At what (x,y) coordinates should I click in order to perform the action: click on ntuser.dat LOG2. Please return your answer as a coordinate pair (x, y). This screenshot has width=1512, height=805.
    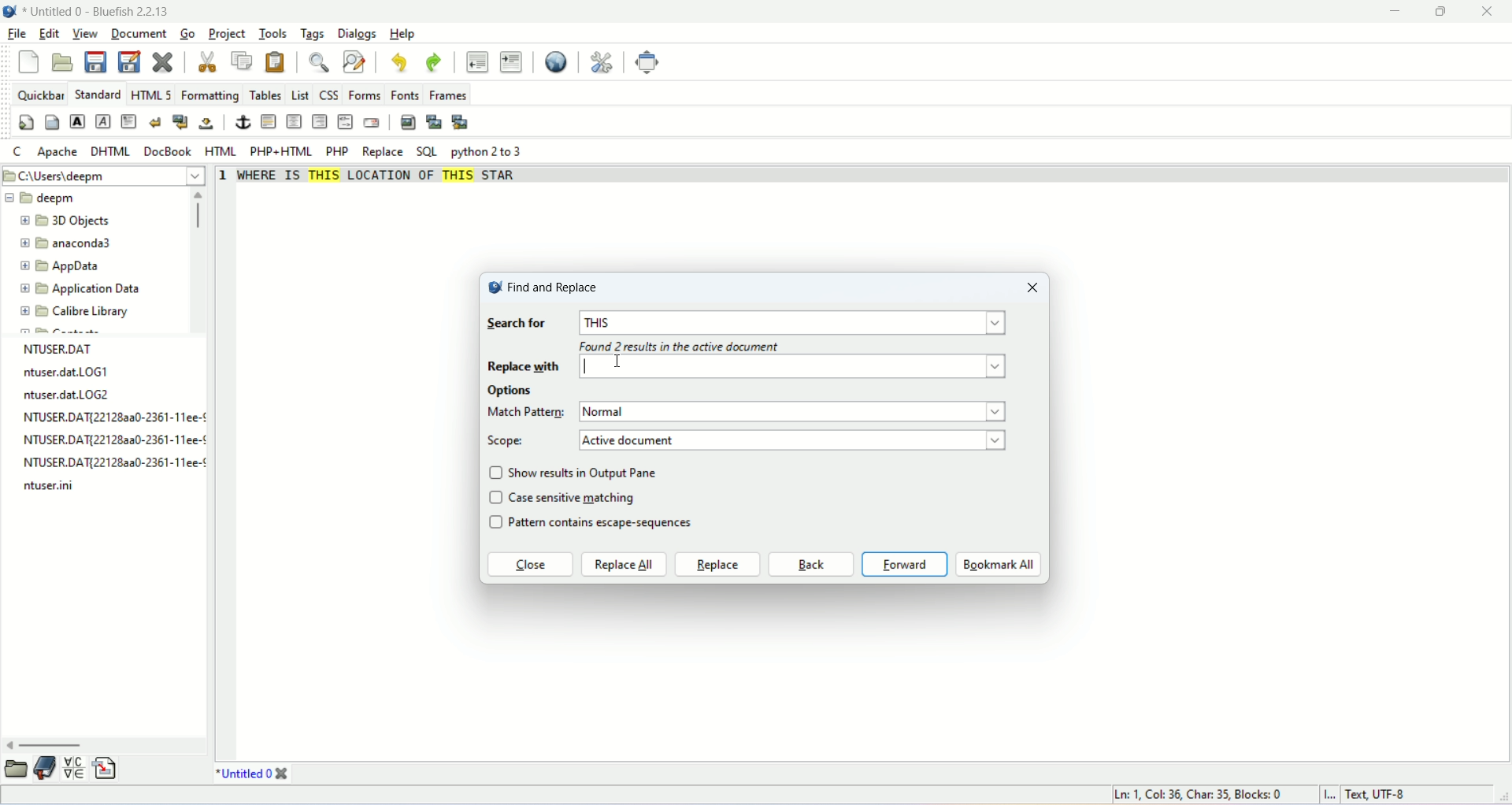
    Looking at the image, I should click on (69, 395).